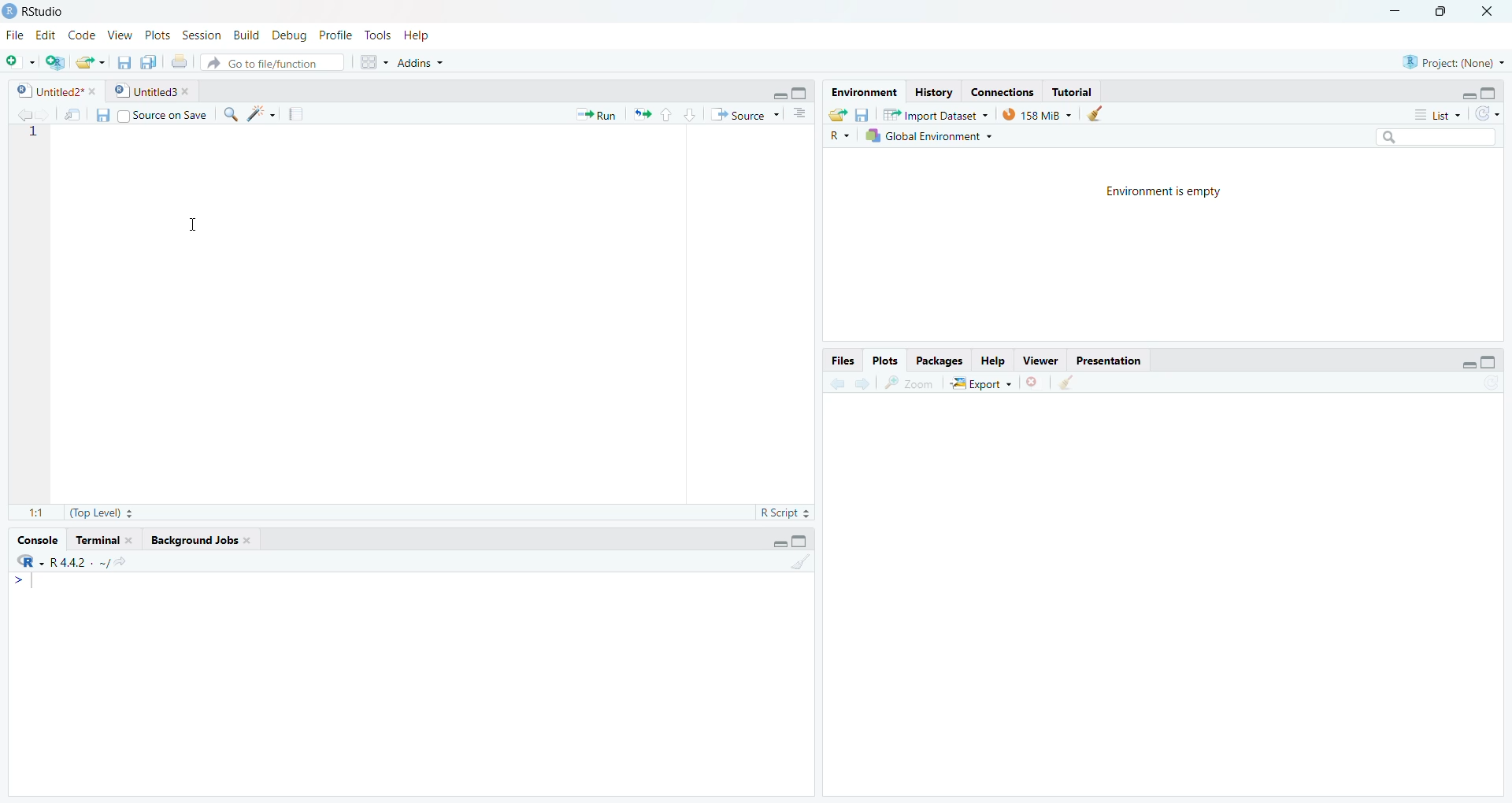 The image size is (1512, 803). Describe the element at coordinates (216, 541) in the screenshot. I see `Background Jobs` at that location.